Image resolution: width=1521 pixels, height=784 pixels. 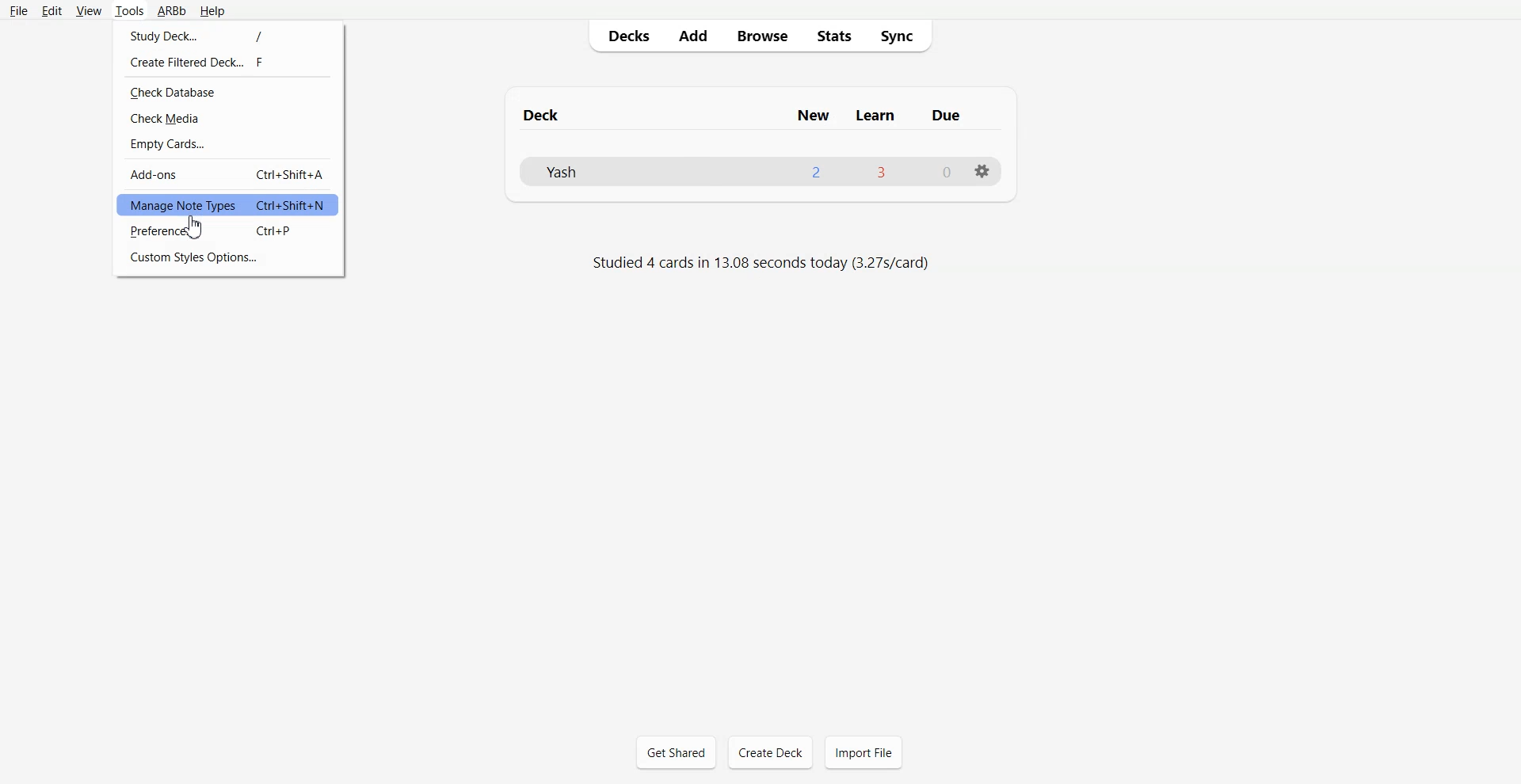 What do you see at coordinates (228, 204) in the screenshot?
I see `Manage Note Types` at bounding box center [228, 204].